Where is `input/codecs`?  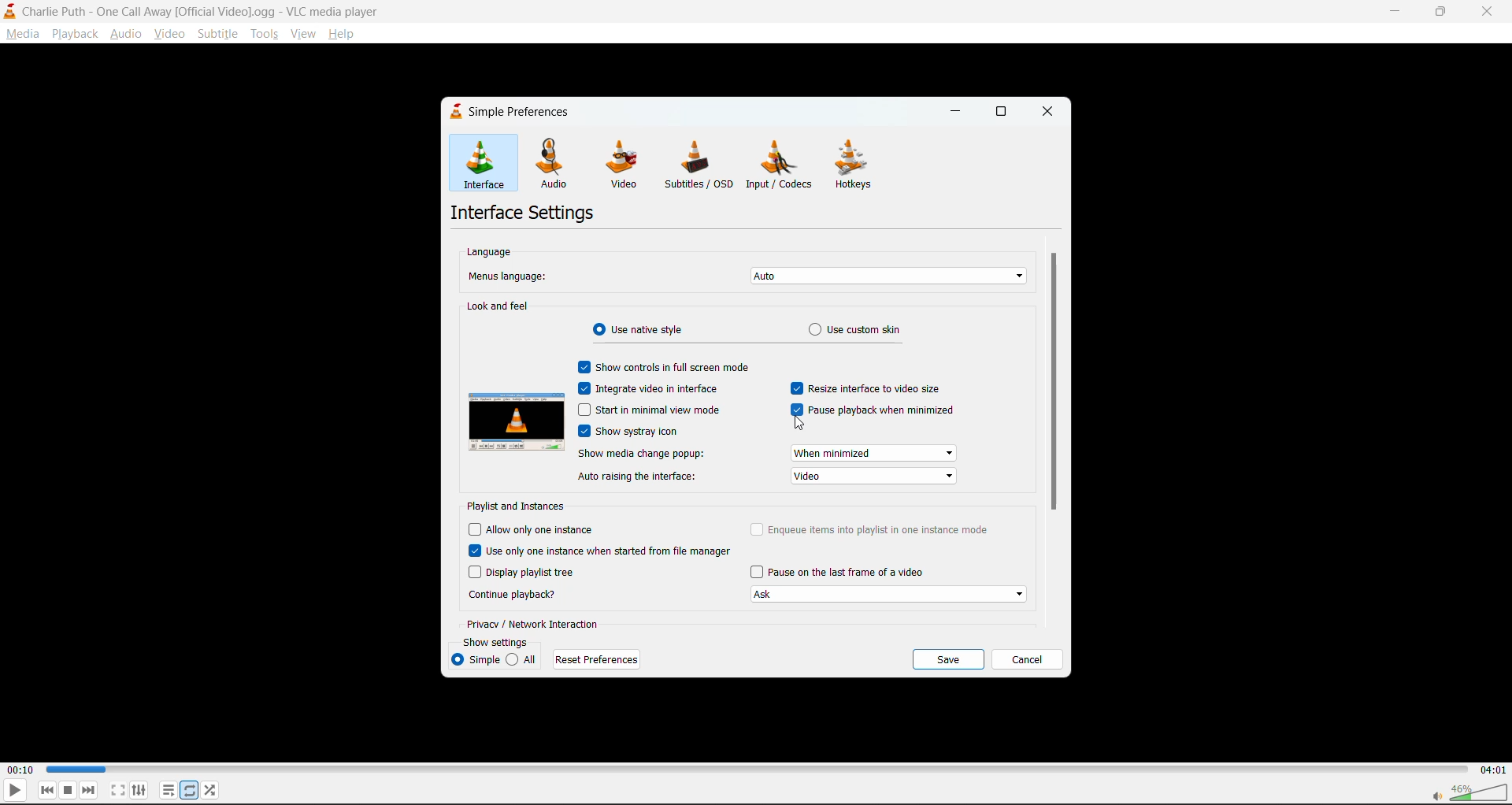 input/codecs is located at coordinates (780, 168).